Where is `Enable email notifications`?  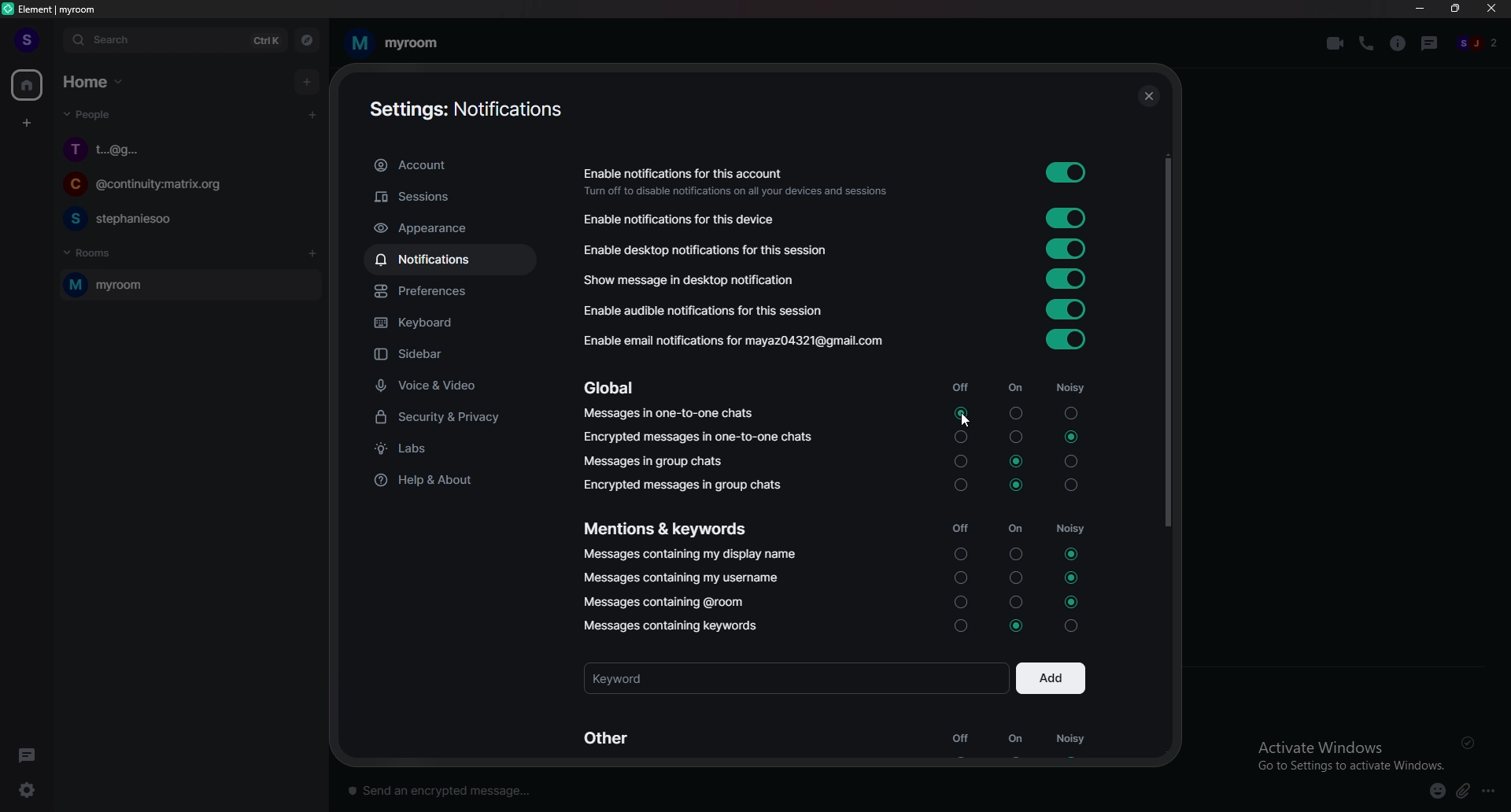
Enable email notifications is located at coordinates (732, 343).